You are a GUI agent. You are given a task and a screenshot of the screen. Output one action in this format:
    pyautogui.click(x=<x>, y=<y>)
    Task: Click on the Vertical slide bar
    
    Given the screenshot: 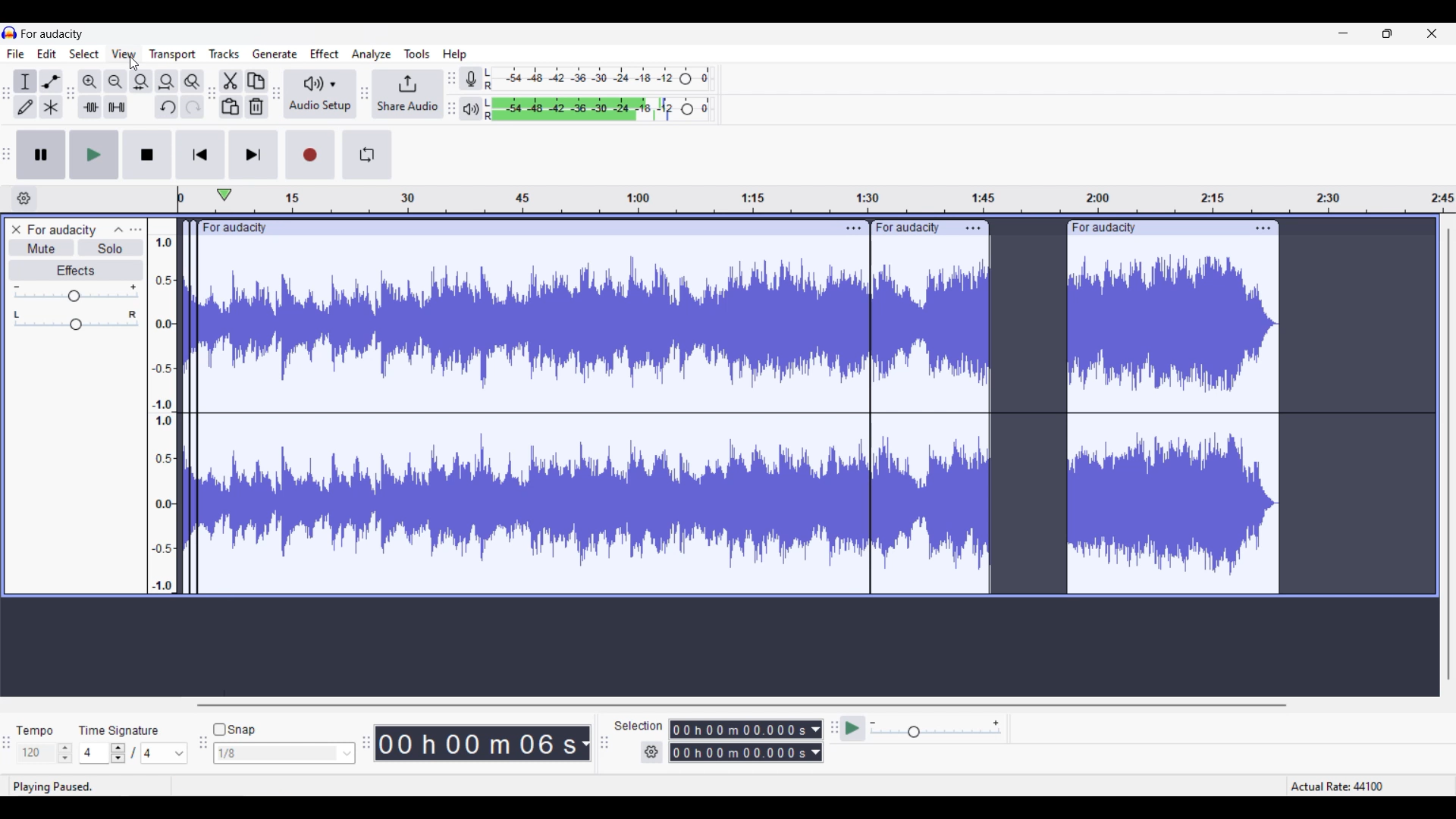 What is the action you would take?
    pyautogui.click(x=1448, y=453)
    